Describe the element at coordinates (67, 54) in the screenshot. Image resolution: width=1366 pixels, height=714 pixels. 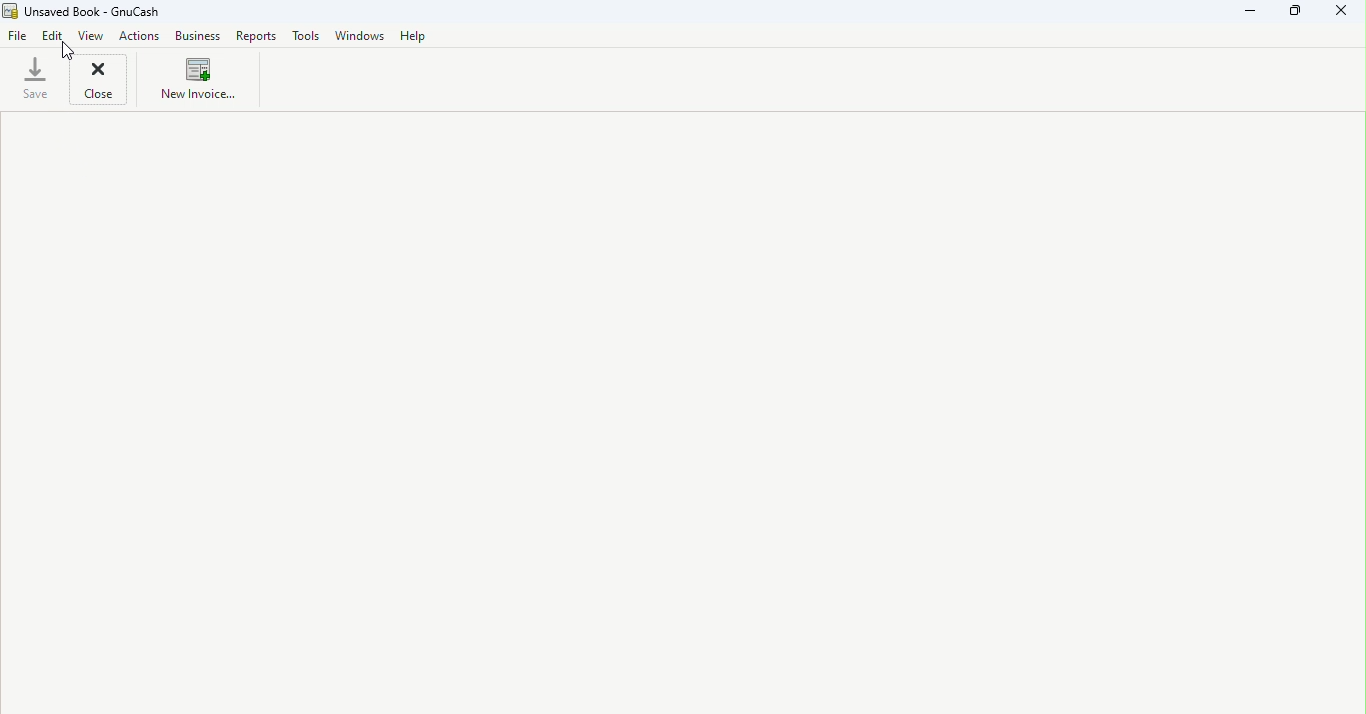
I see `cursor` at that location.